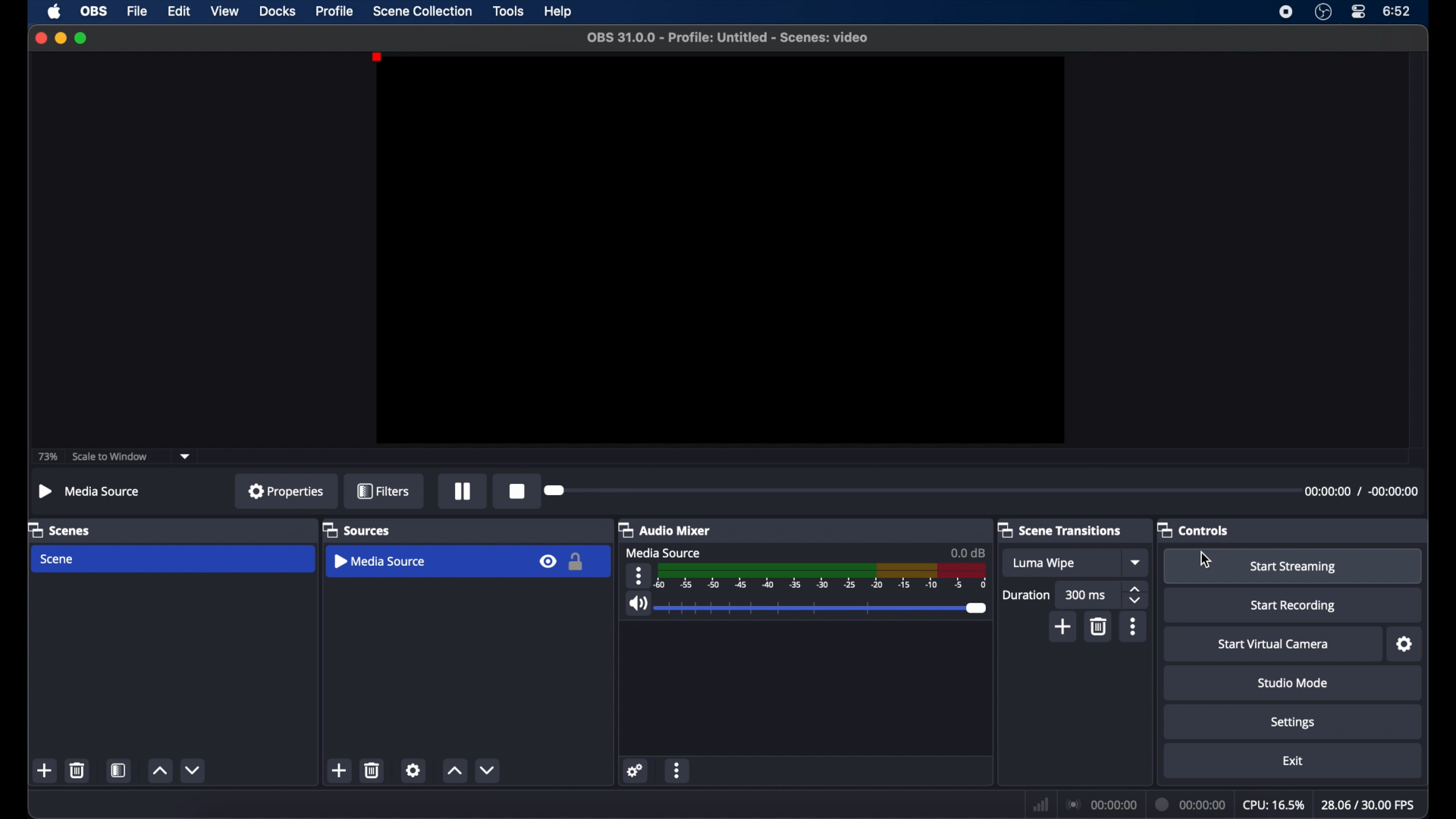  What do you see at coordinates (338, 770) in the screenshot?
I see `add` at bounding box center [338, 770].